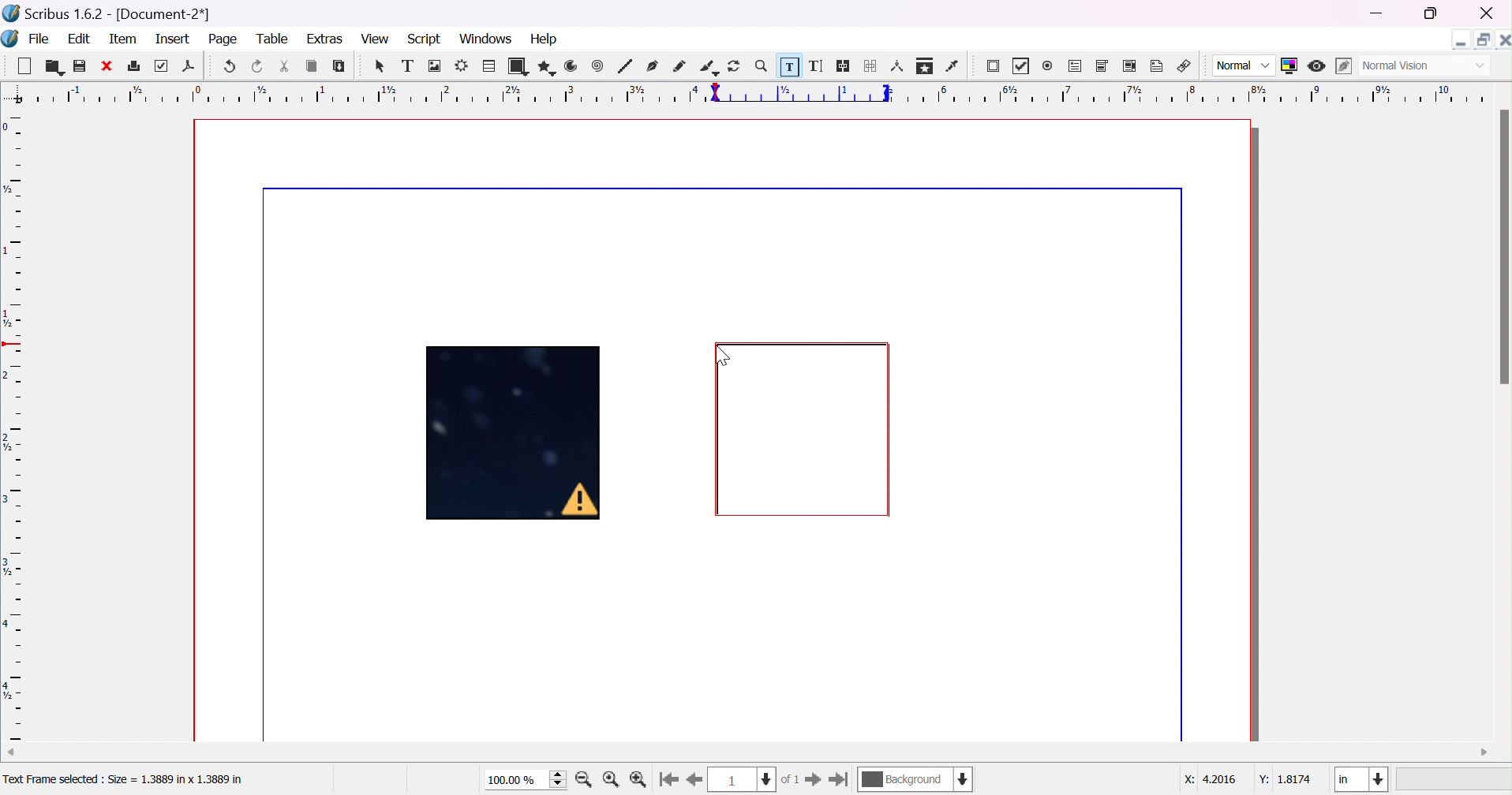  I want to click on text annotation, so click(1158, 64).